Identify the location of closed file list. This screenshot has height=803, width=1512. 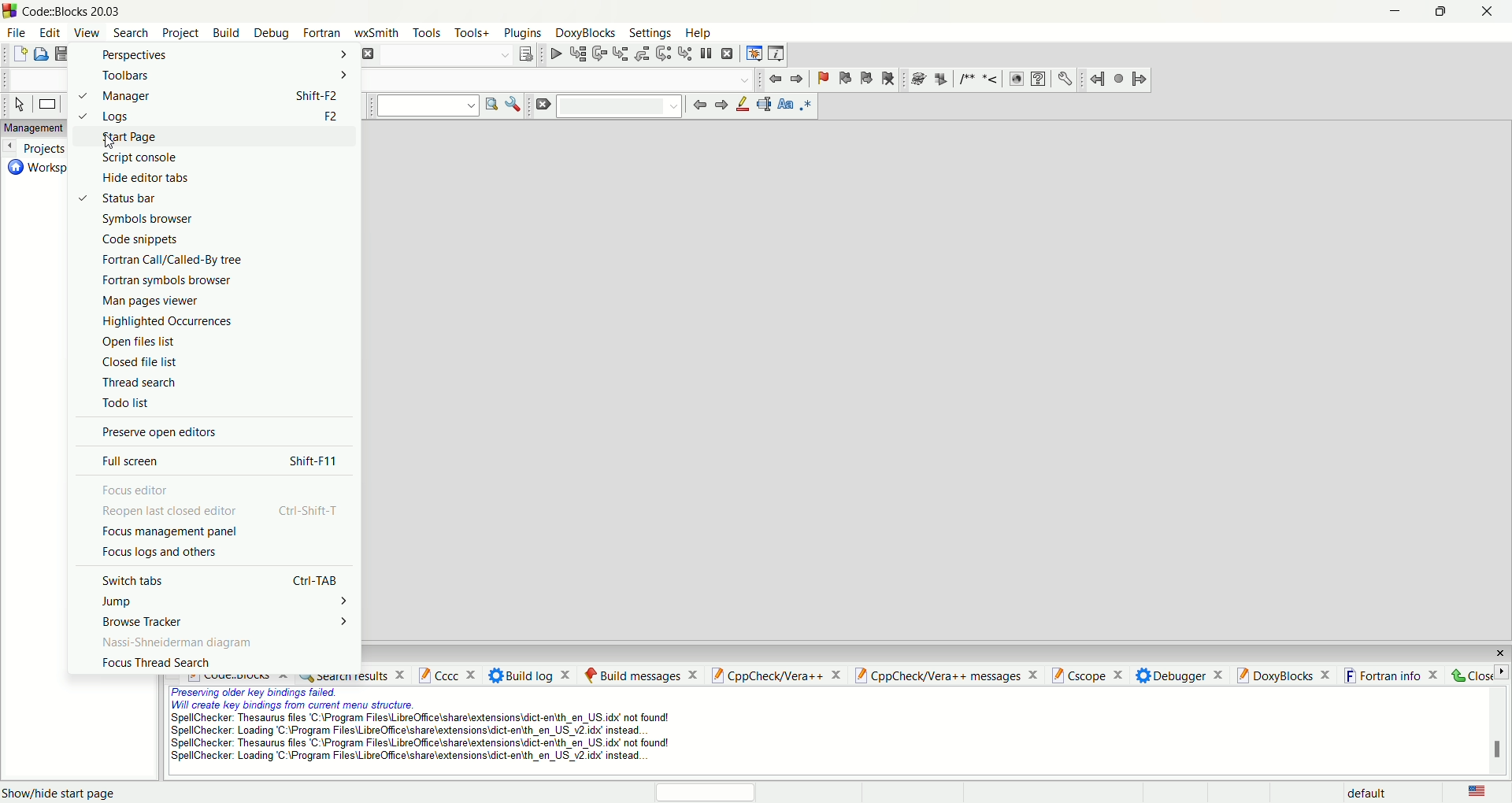
(135, 365).